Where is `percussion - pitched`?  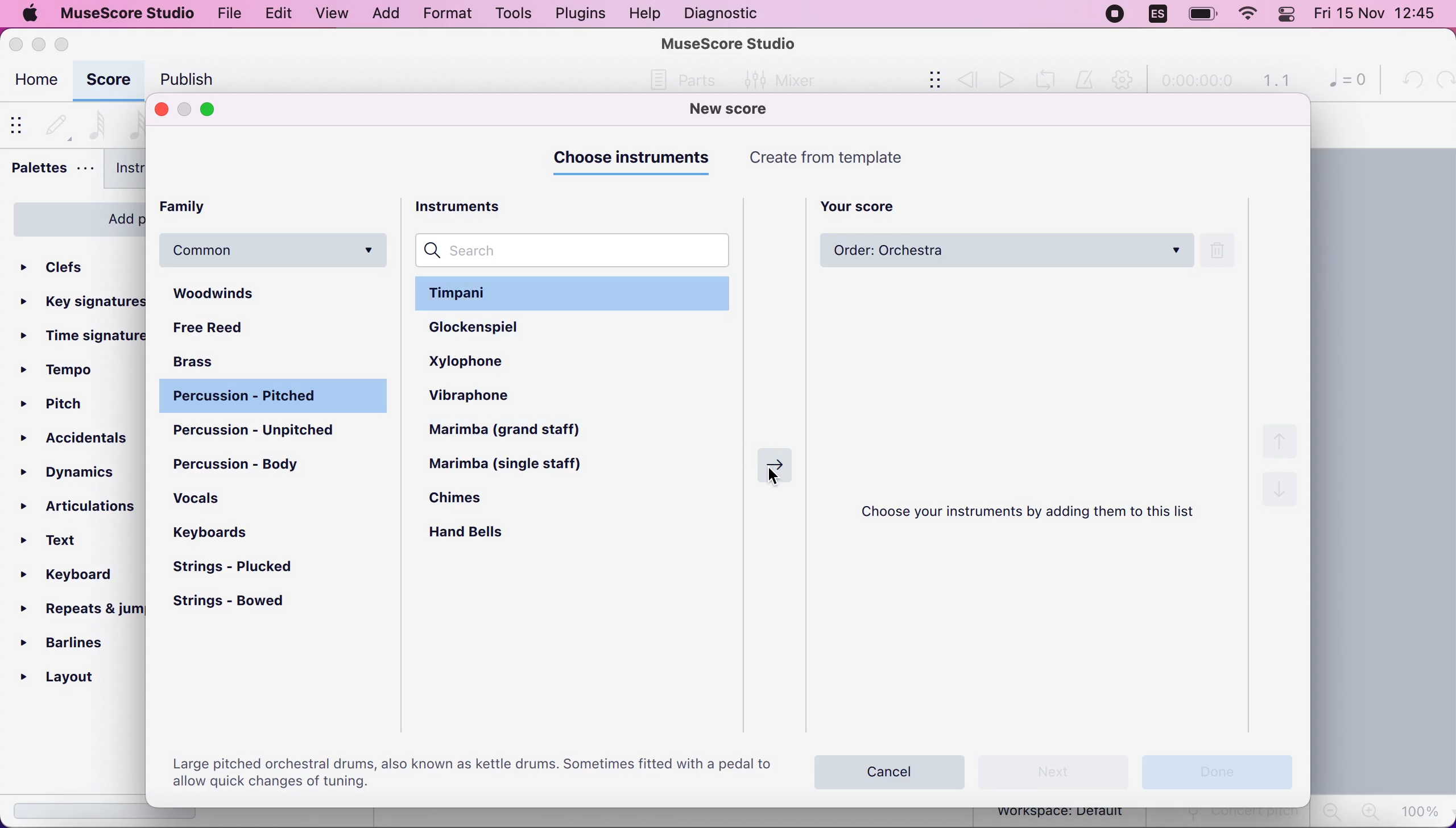 percussion - pitched is located at coordinates (271, 397).